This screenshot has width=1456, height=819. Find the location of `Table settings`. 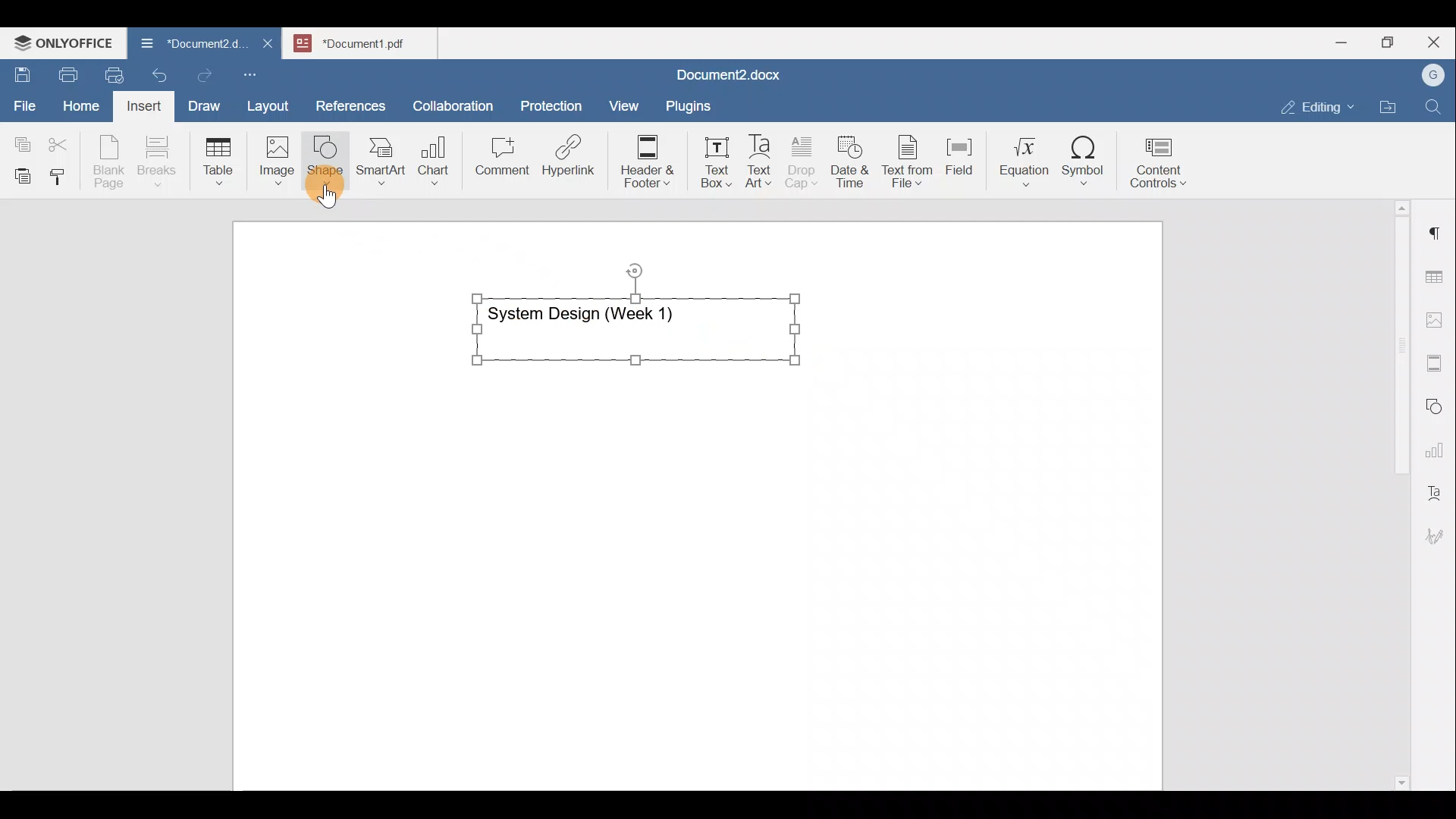

Table settings is located at coordinates (1437, 275).